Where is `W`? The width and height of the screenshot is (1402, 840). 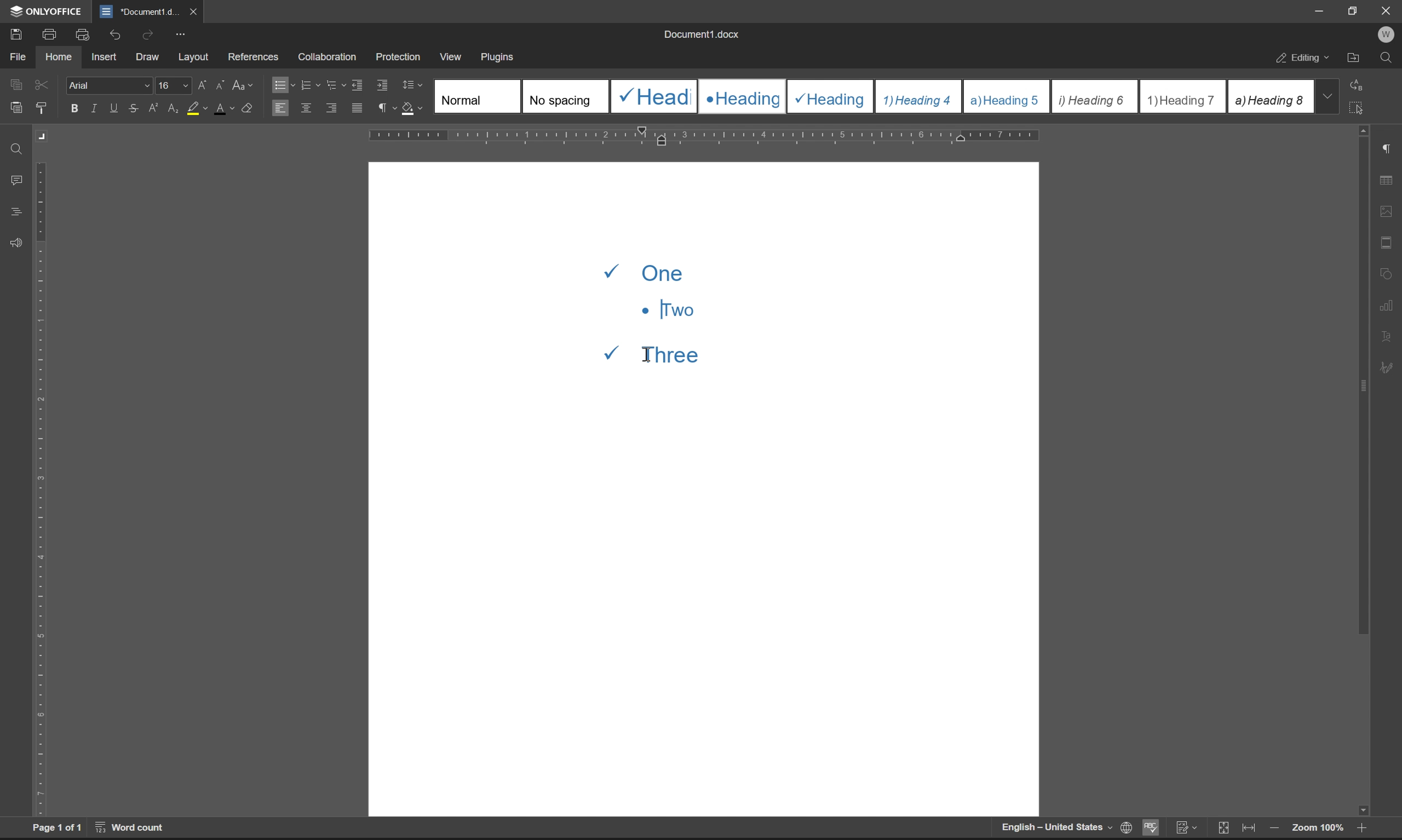 W is located at coordinates (1388, 35).